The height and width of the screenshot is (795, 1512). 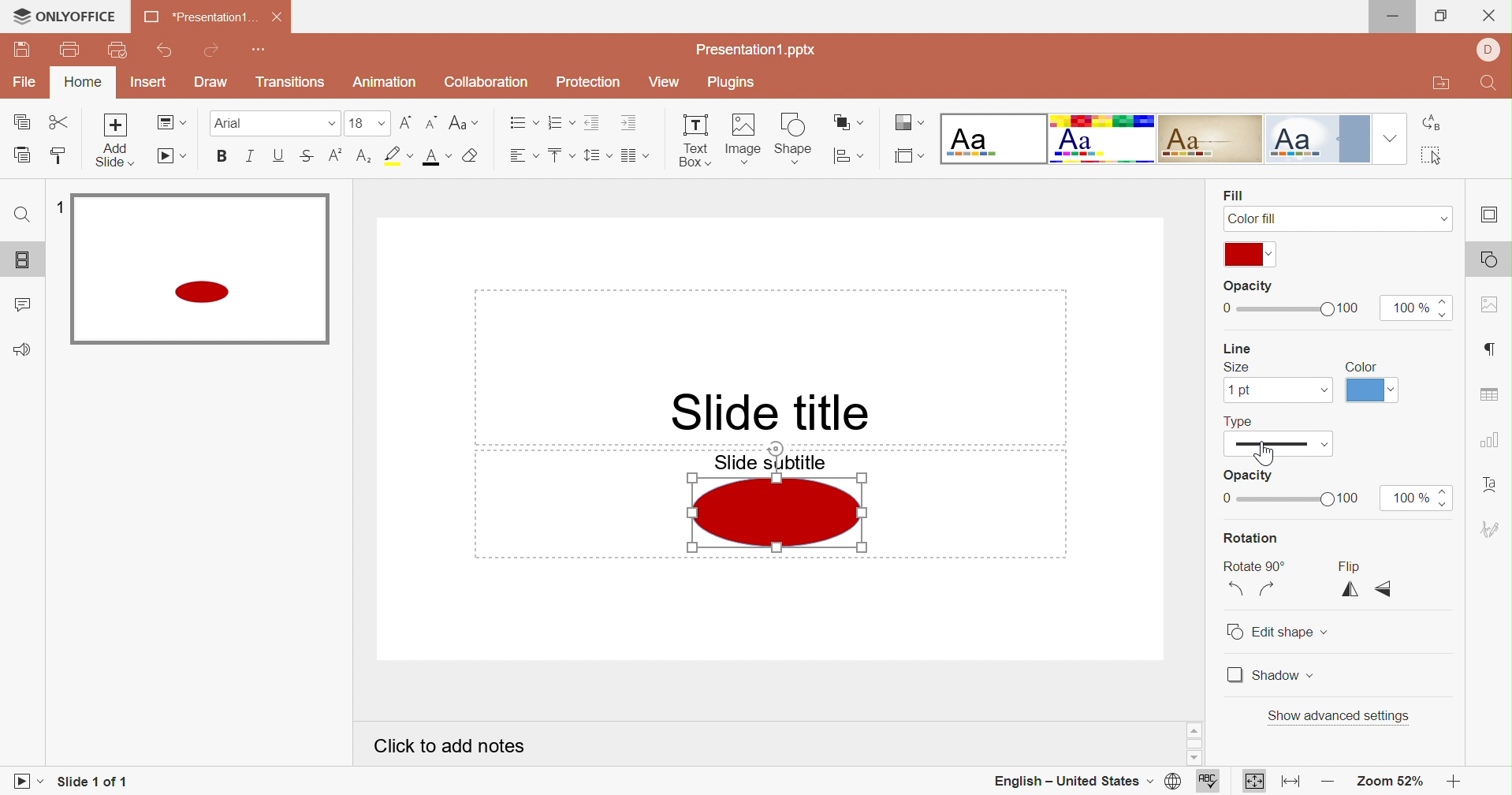 What do you see at coordinates (522, 123) in the screenshot?
I see `Bullets` at bounding box center [522, 123].